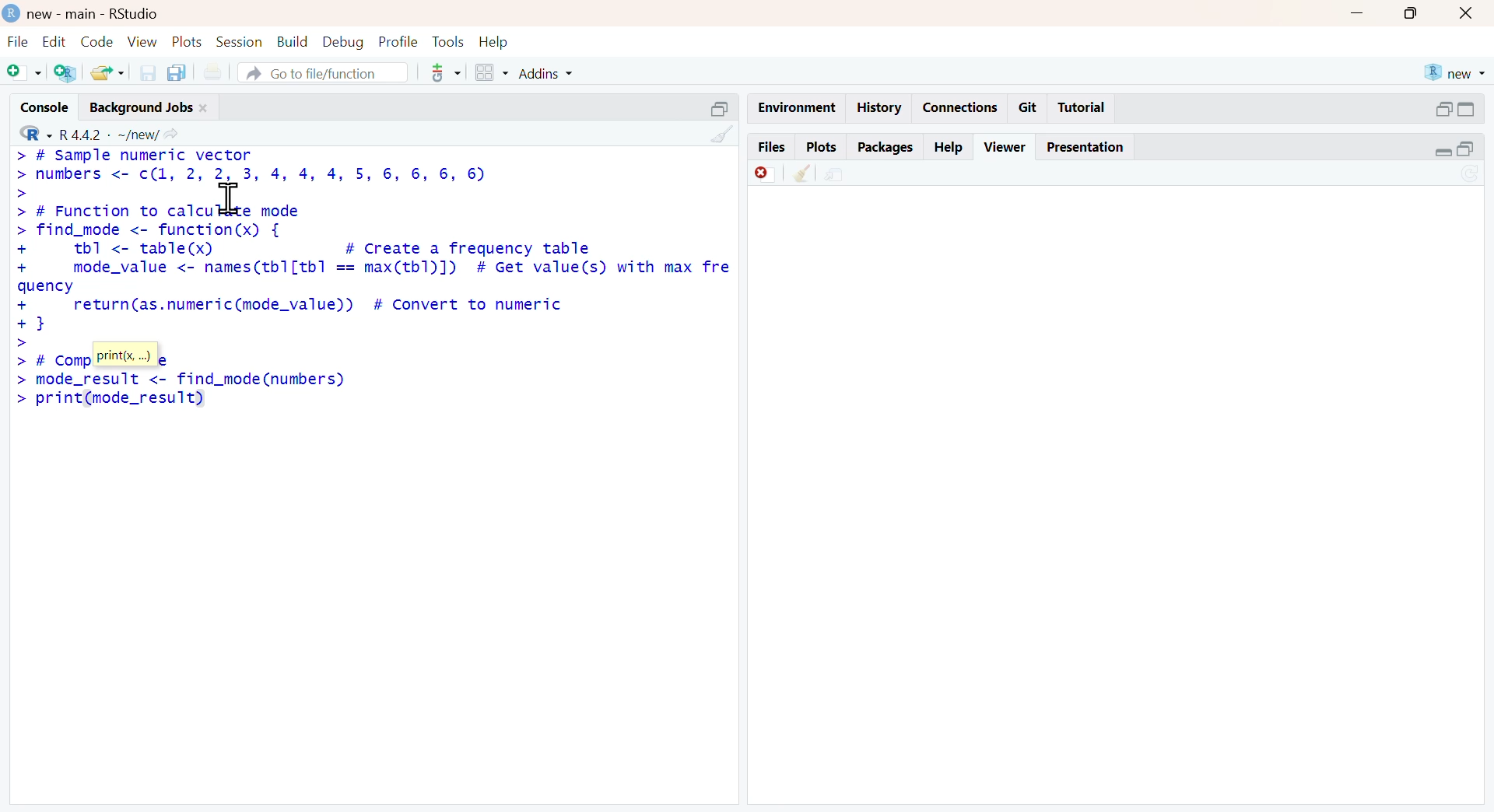 The image size is (1494, 812). What do you see at coordinates (1465, 148) in the screenshot?
I see `open in separate window` at bounding box center [1465, 148].